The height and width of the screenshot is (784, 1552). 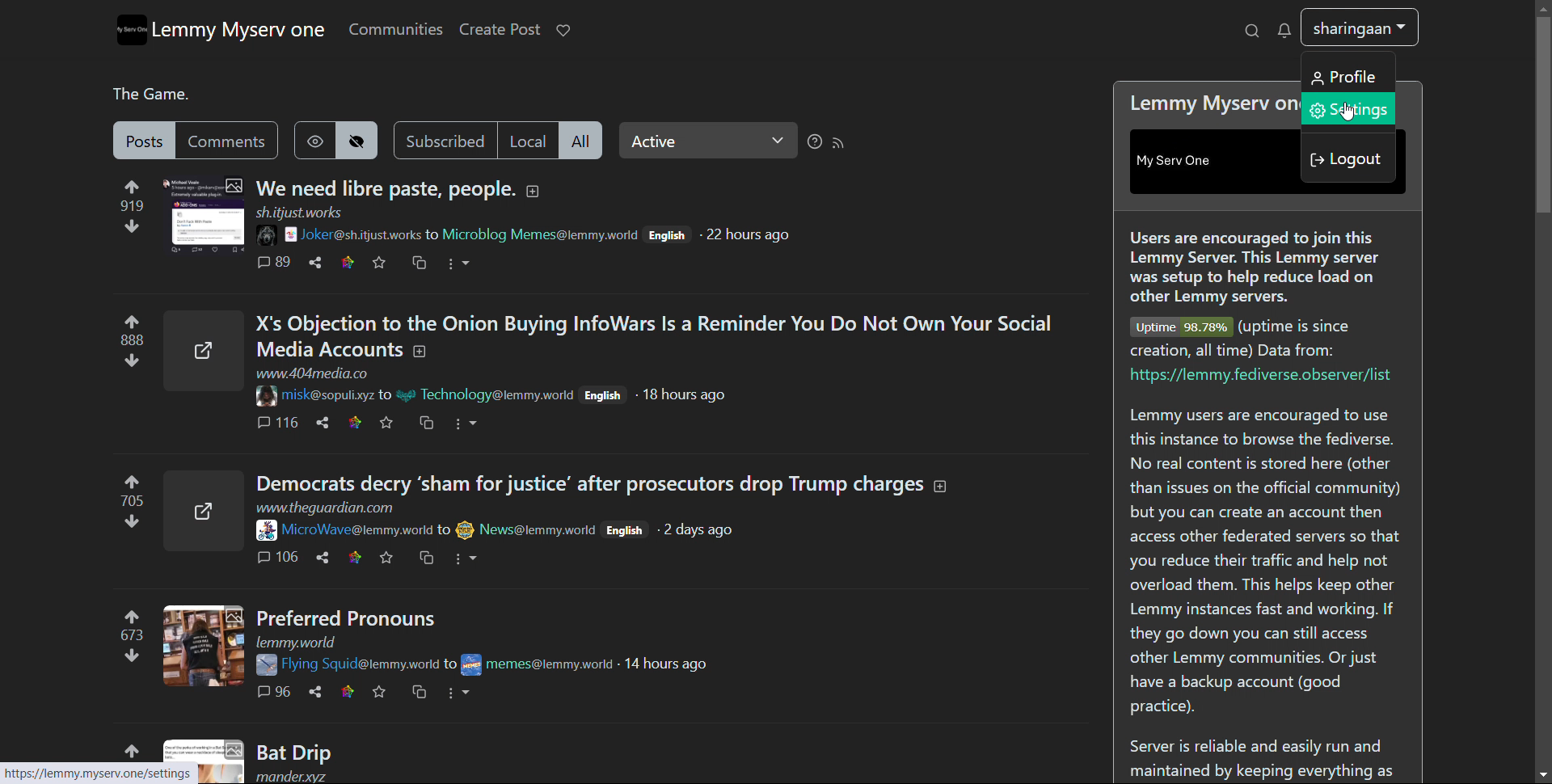 I want to click on Server is reliable and easily run and
maintained by keeping everything as, so click(x=1266, y=757).